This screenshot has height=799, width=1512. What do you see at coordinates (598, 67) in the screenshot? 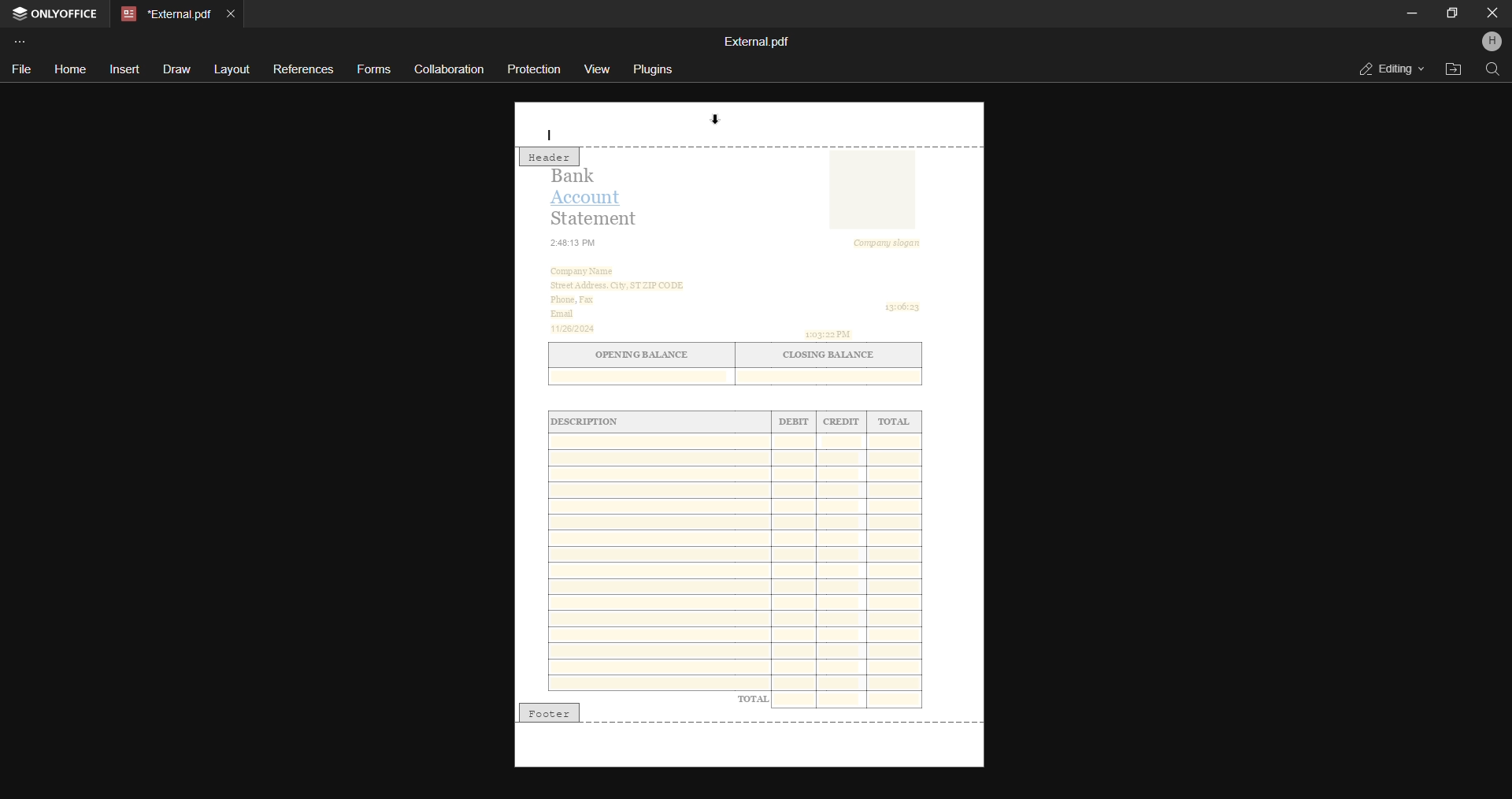
I see `view` at bounding box center [598, 67].